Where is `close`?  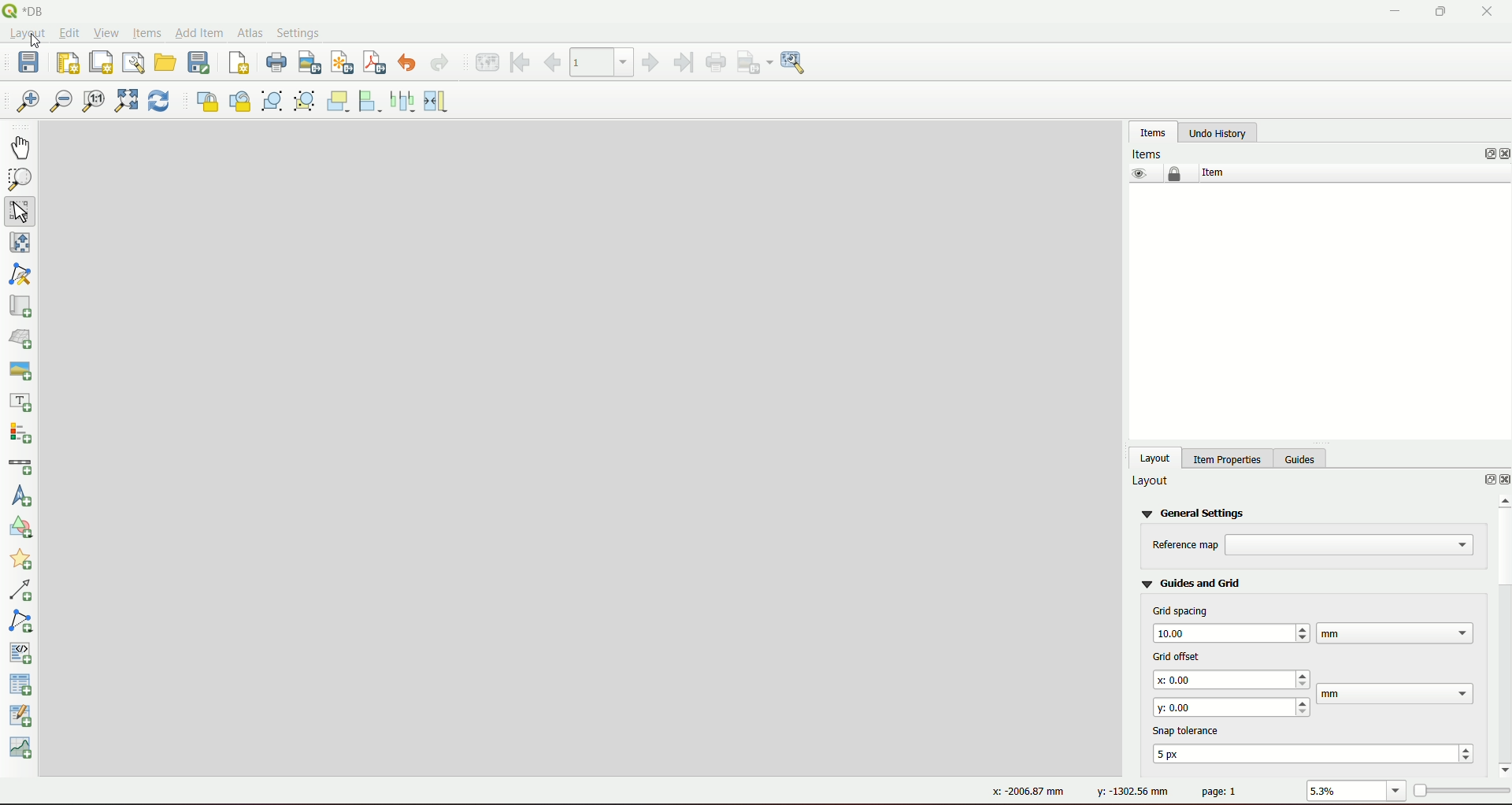 close is located at coordinates (1503, 480).